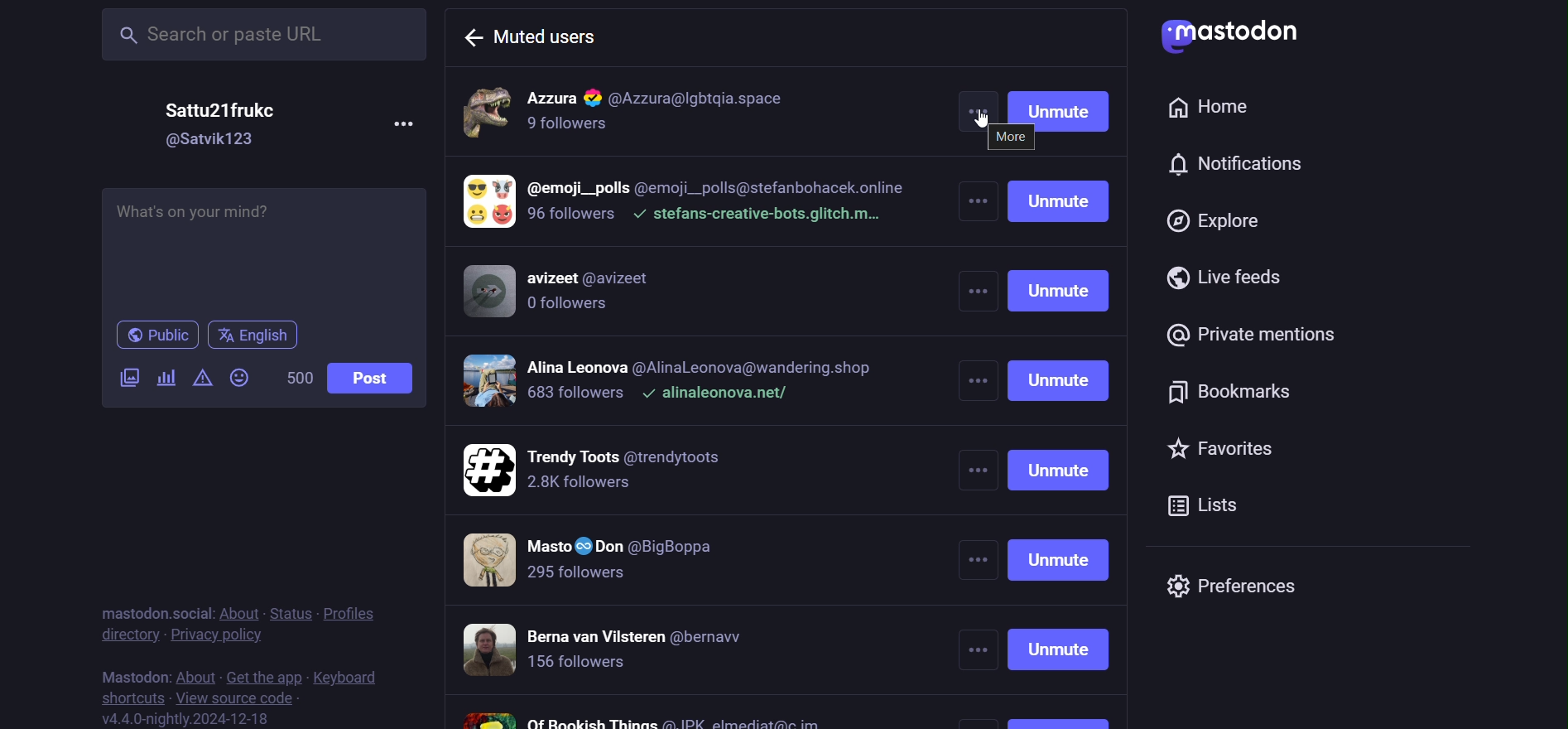 The image size is (1568, 729). What do you see at coordinates (680, 382) in the screenshot?
I see `muter users 4` at bounding box center [680, 382].